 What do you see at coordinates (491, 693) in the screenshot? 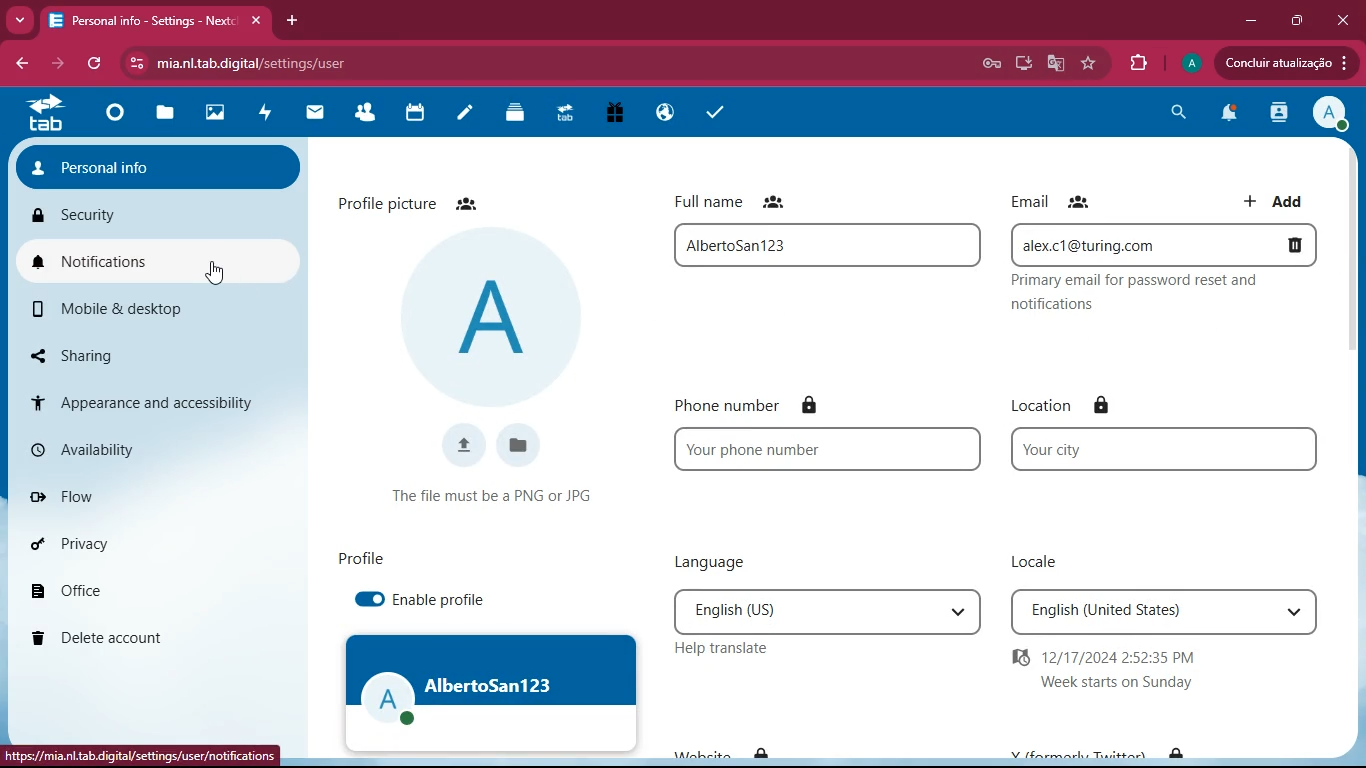
I see `profile` at bounding box center [491, 693].